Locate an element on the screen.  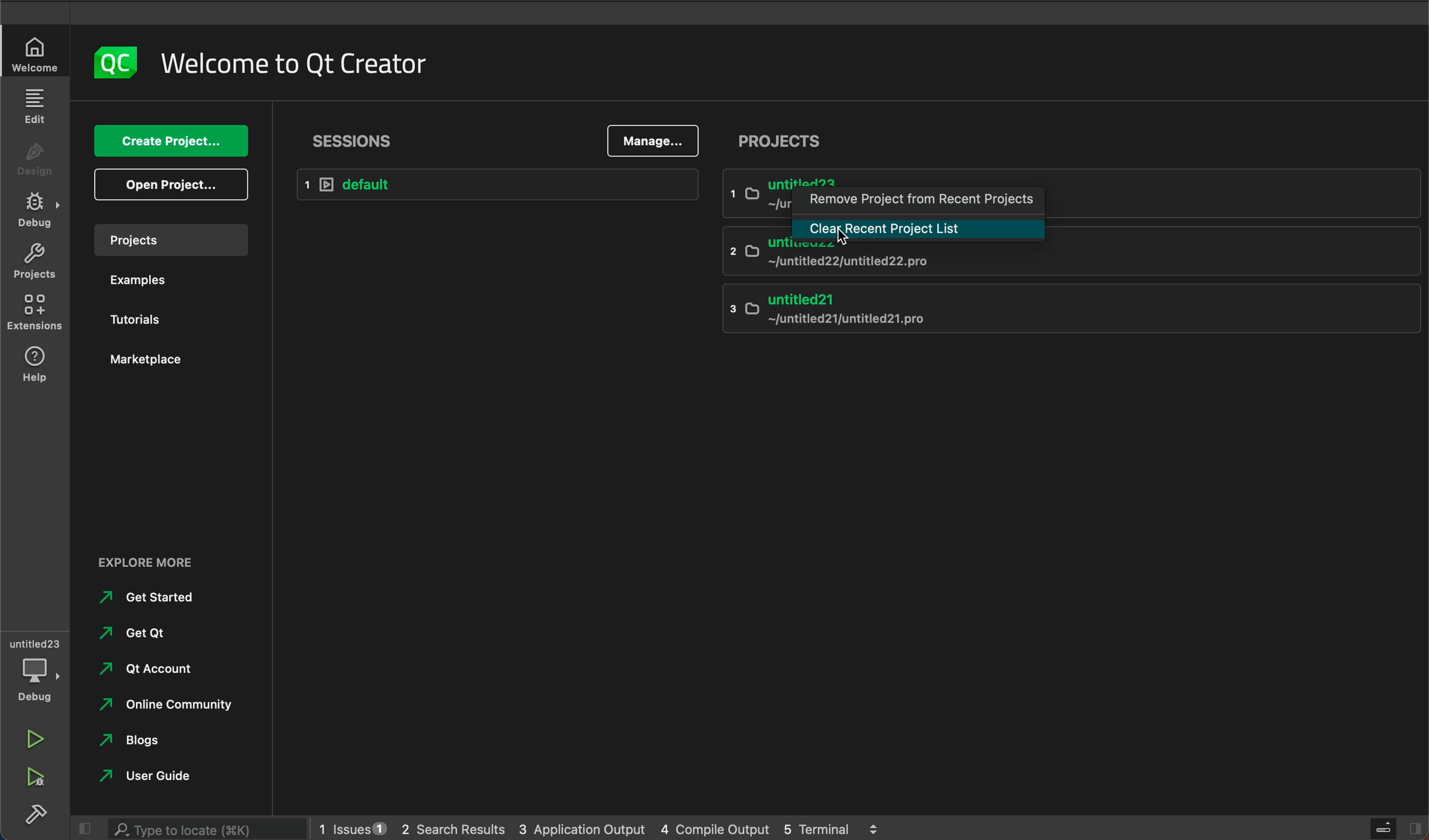
extensions is located at coordinates (34, 317).